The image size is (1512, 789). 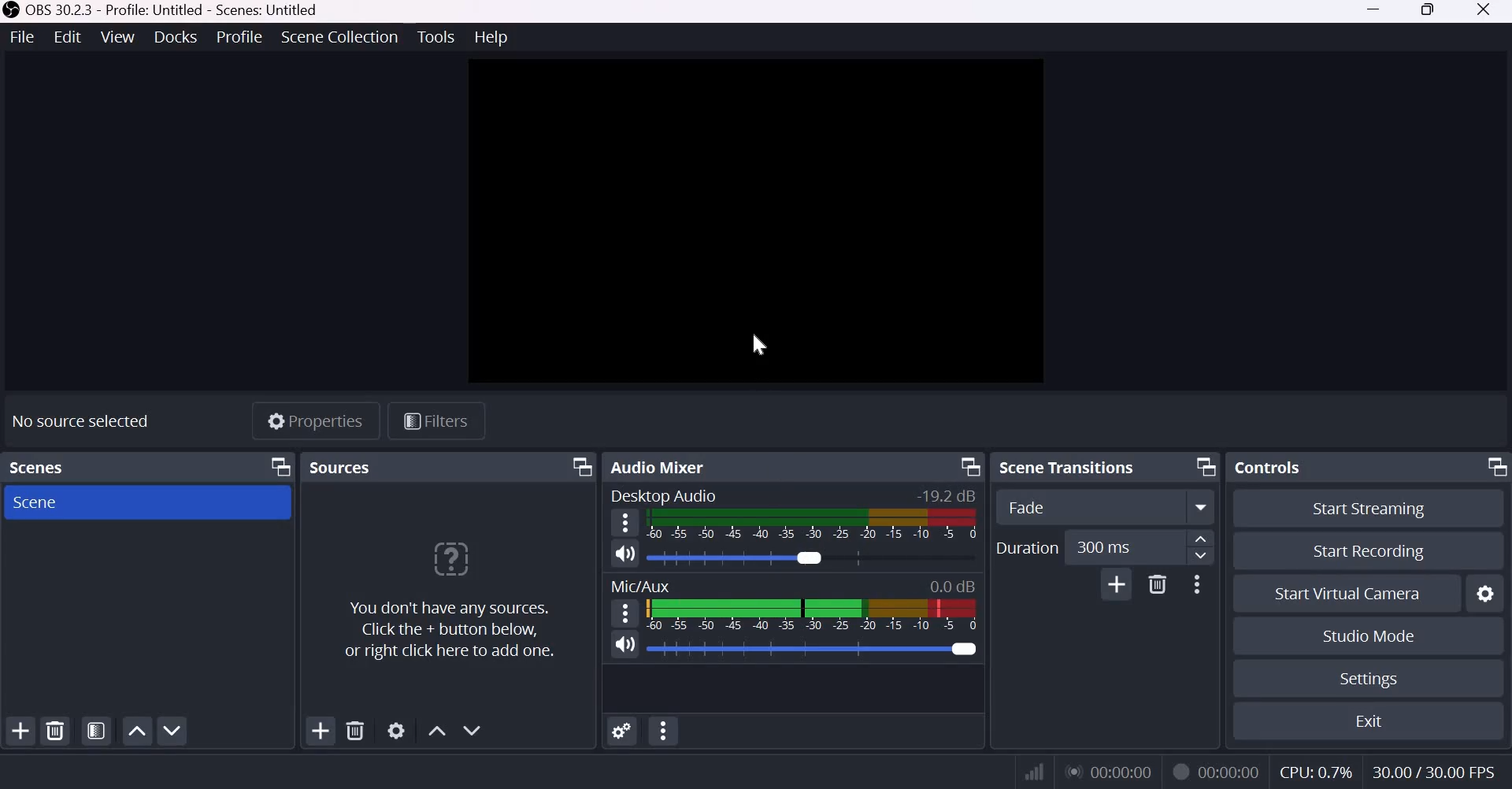 What do you see at coordinates (166, 9) in the screenshot?
I see `OBS 30.2.3 - Profile Untitled - Scenes untitled` at bounding box center [166, 9].